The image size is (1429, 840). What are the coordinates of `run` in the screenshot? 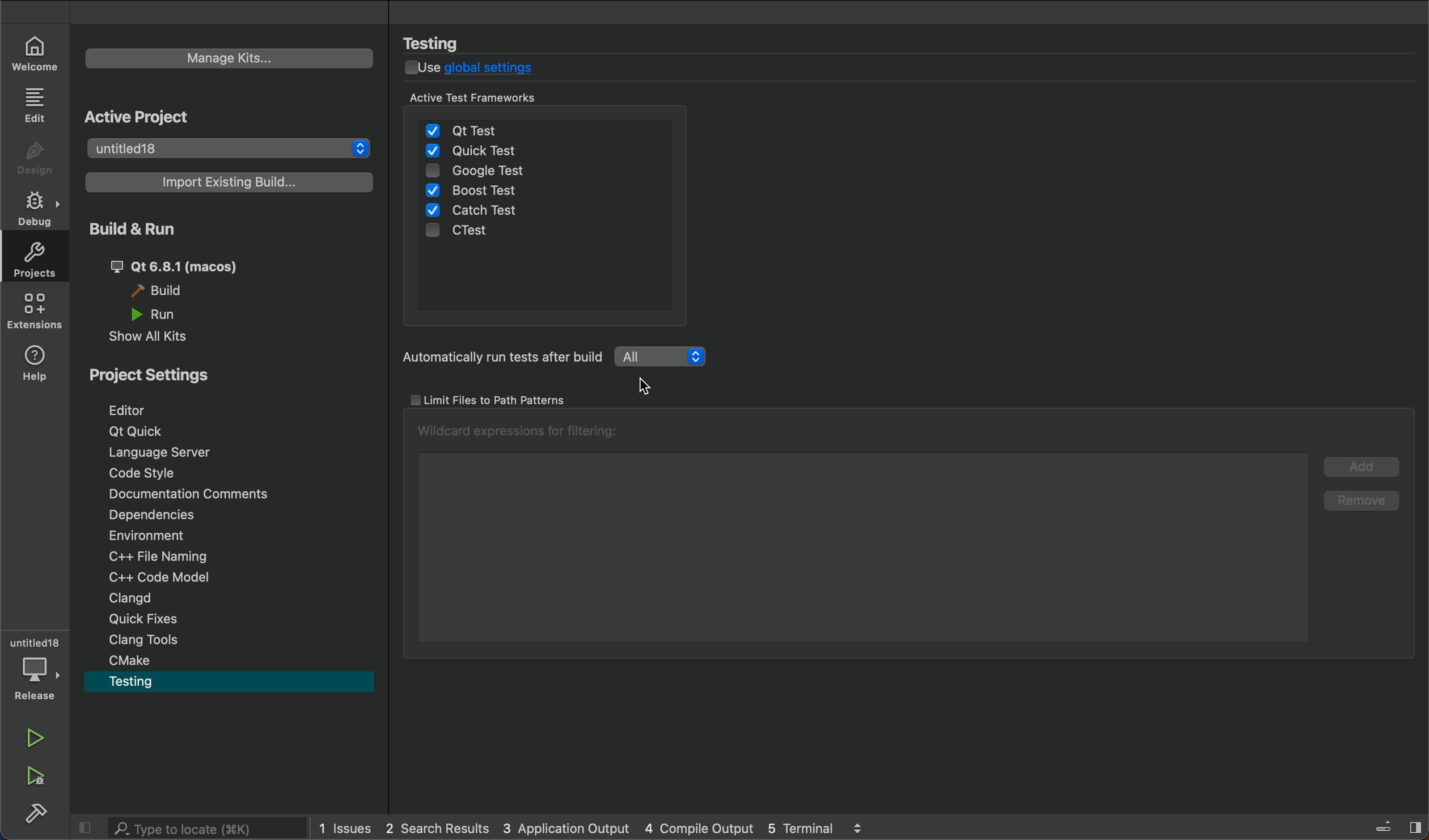 It's located at (36, 735).